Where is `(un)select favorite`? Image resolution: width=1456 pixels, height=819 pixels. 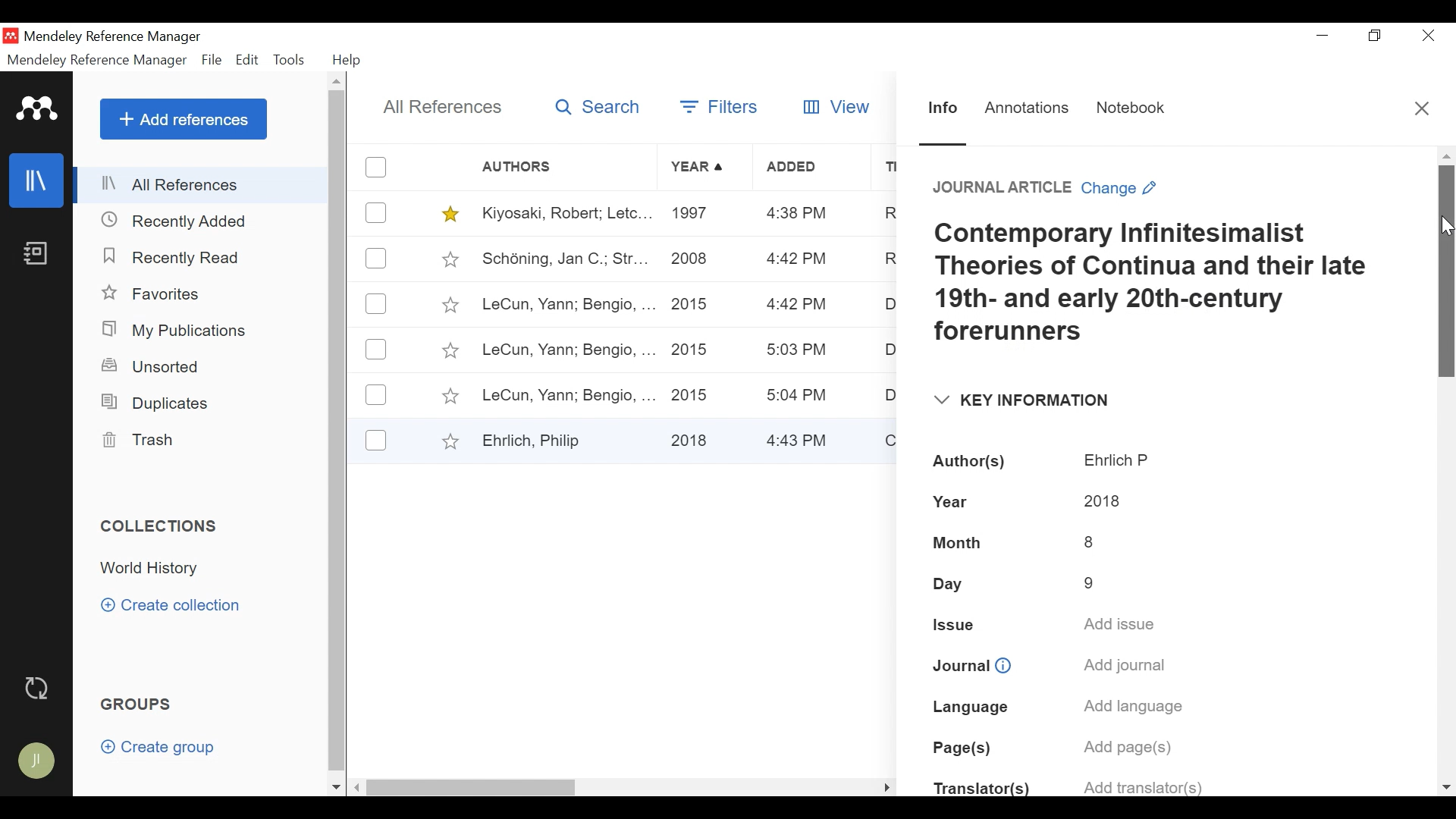
(un)select favorite is located at coordinates (447, 214).